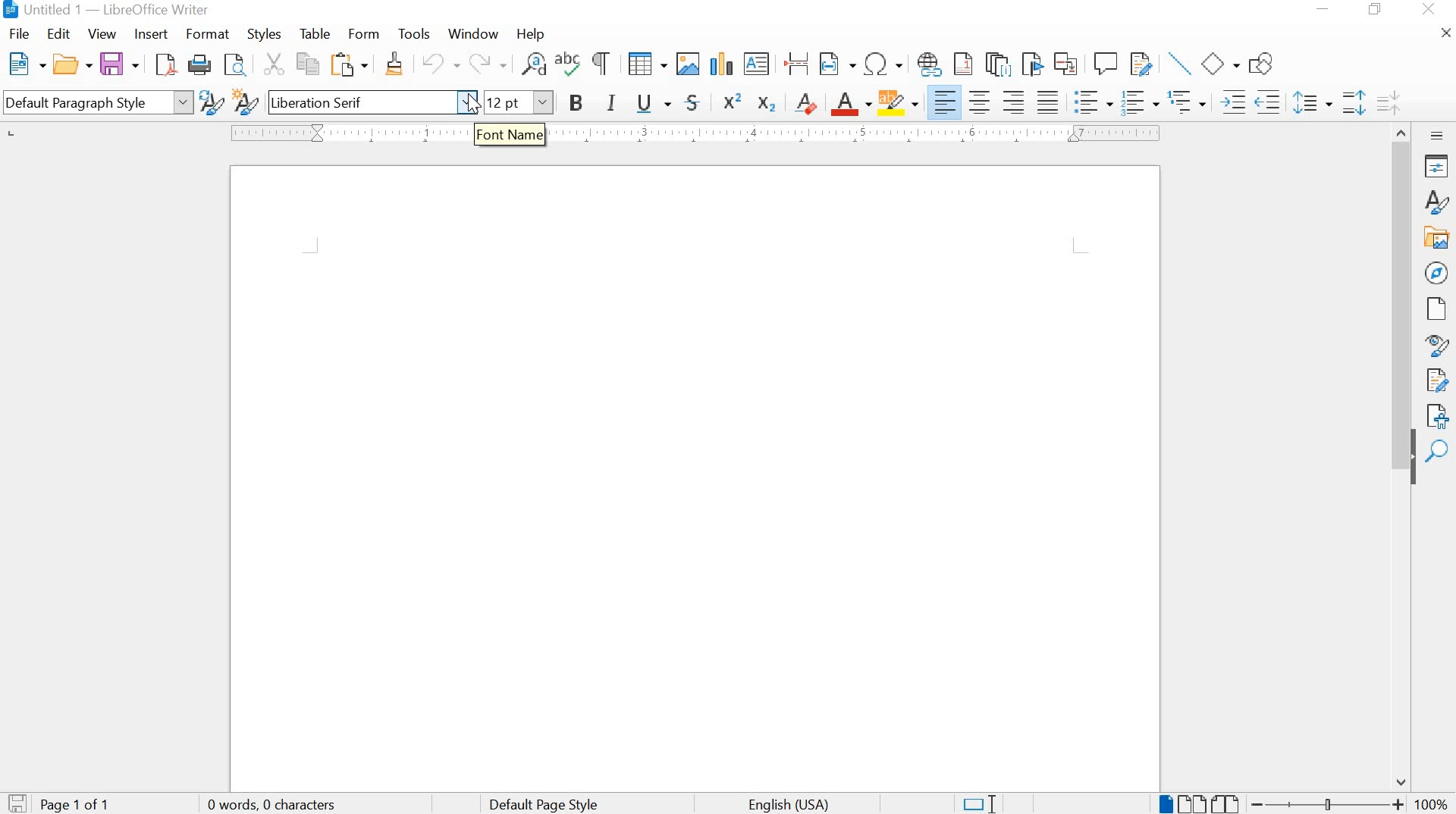 The image size is (1456, 814). What do you see at coordinates (1200, 802) in the screenshot?
I see `PAGE VIEW` at bounding box center [1200, 802].